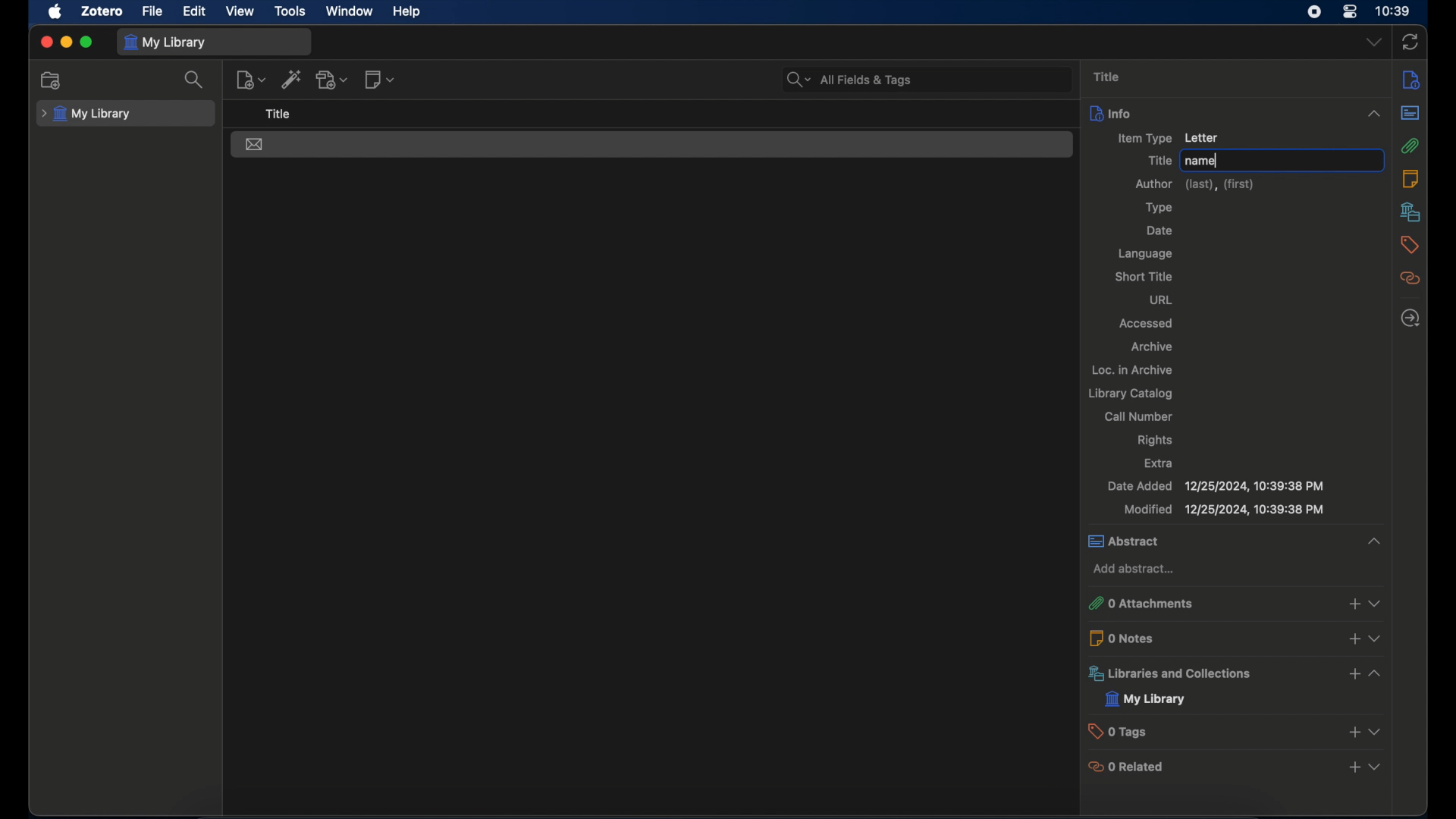 The image size is (1456, 819). Describe the element at coordinates (1376, 640) in the screenshot. I see `view more` at that location.